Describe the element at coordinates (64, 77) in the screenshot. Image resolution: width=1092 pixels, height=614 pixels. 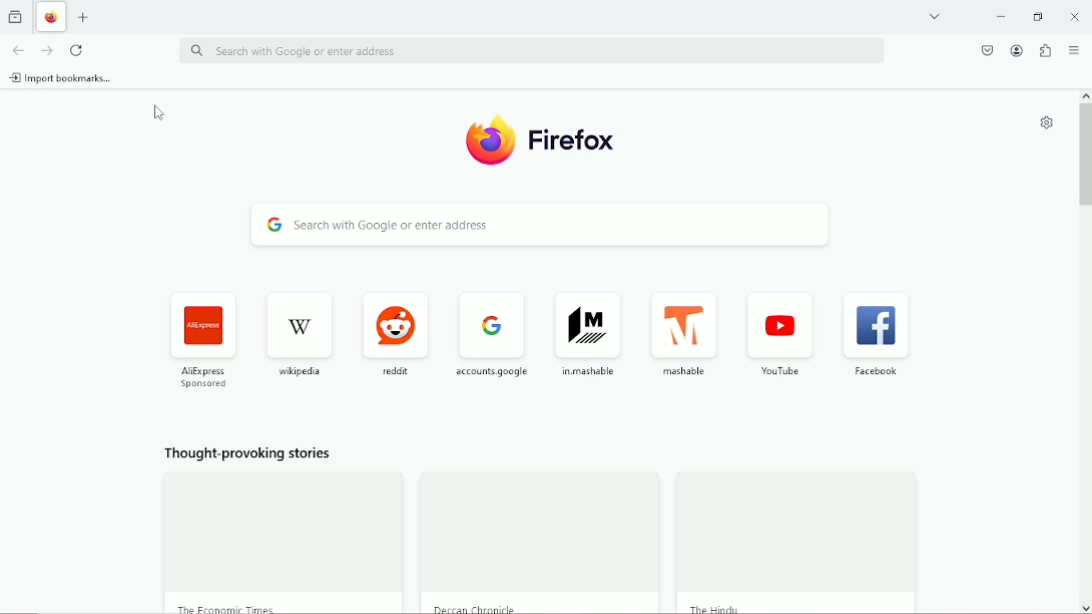
I see `import bookmarks` at that location.